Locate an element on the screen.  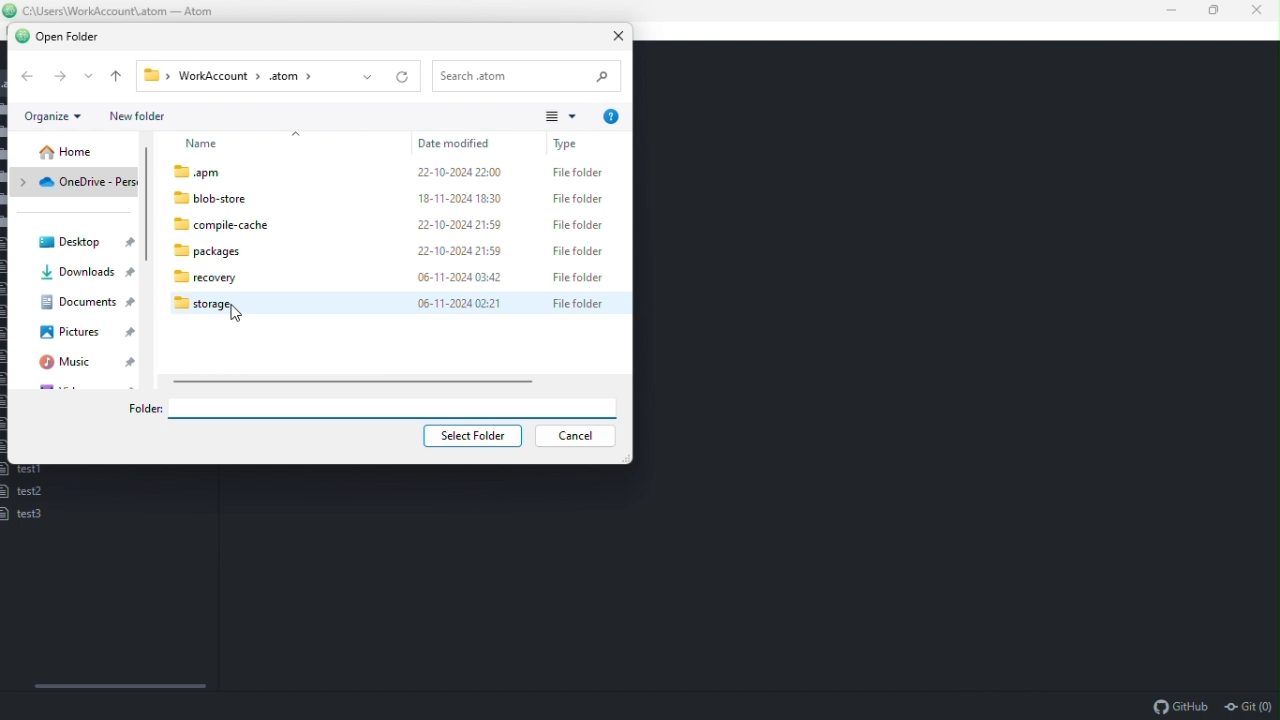
select folder is located at coordinates (474, 437).